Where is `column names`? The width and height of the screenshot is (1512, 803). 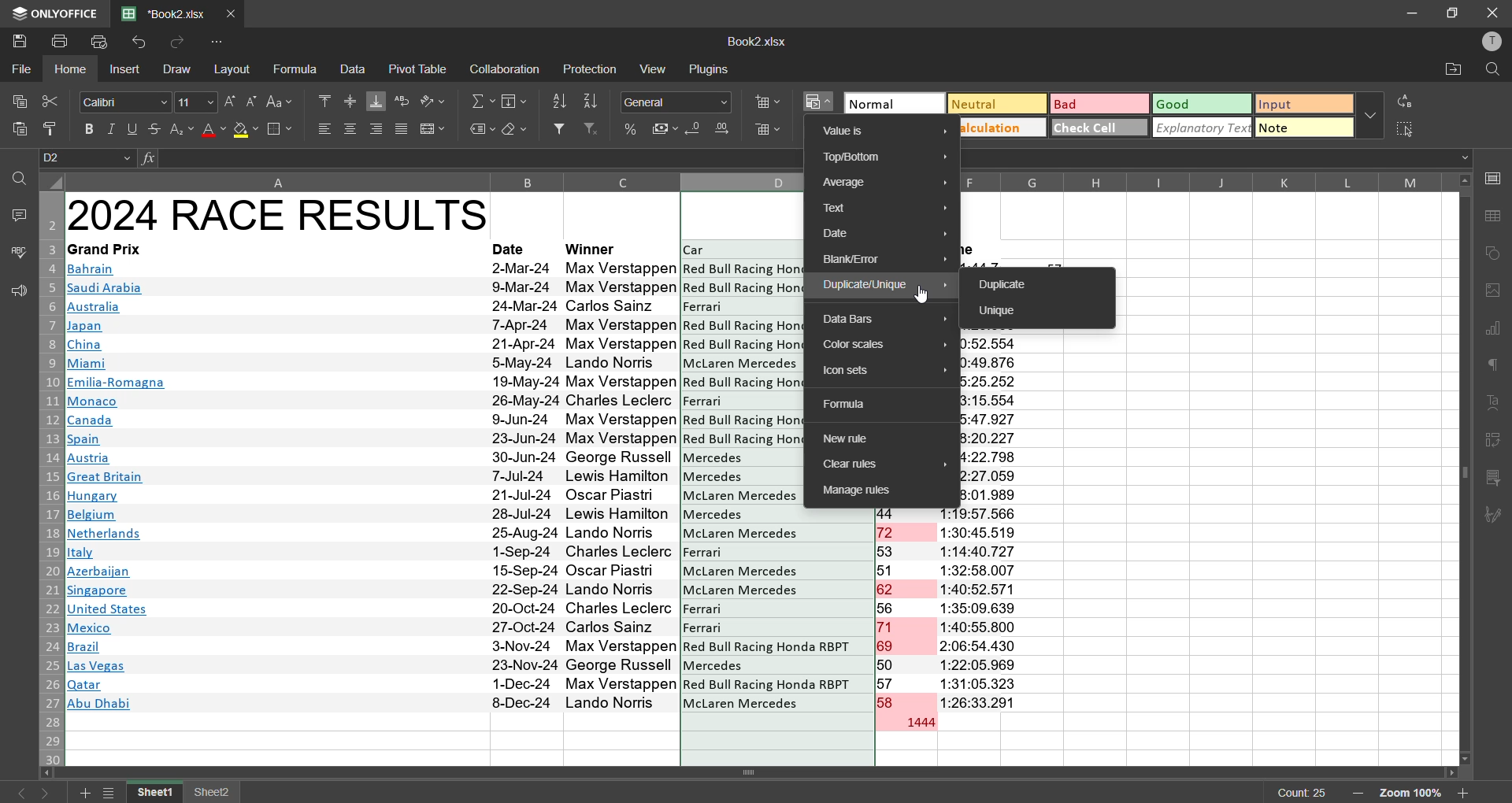 column names is located at coordinates (435, 181).